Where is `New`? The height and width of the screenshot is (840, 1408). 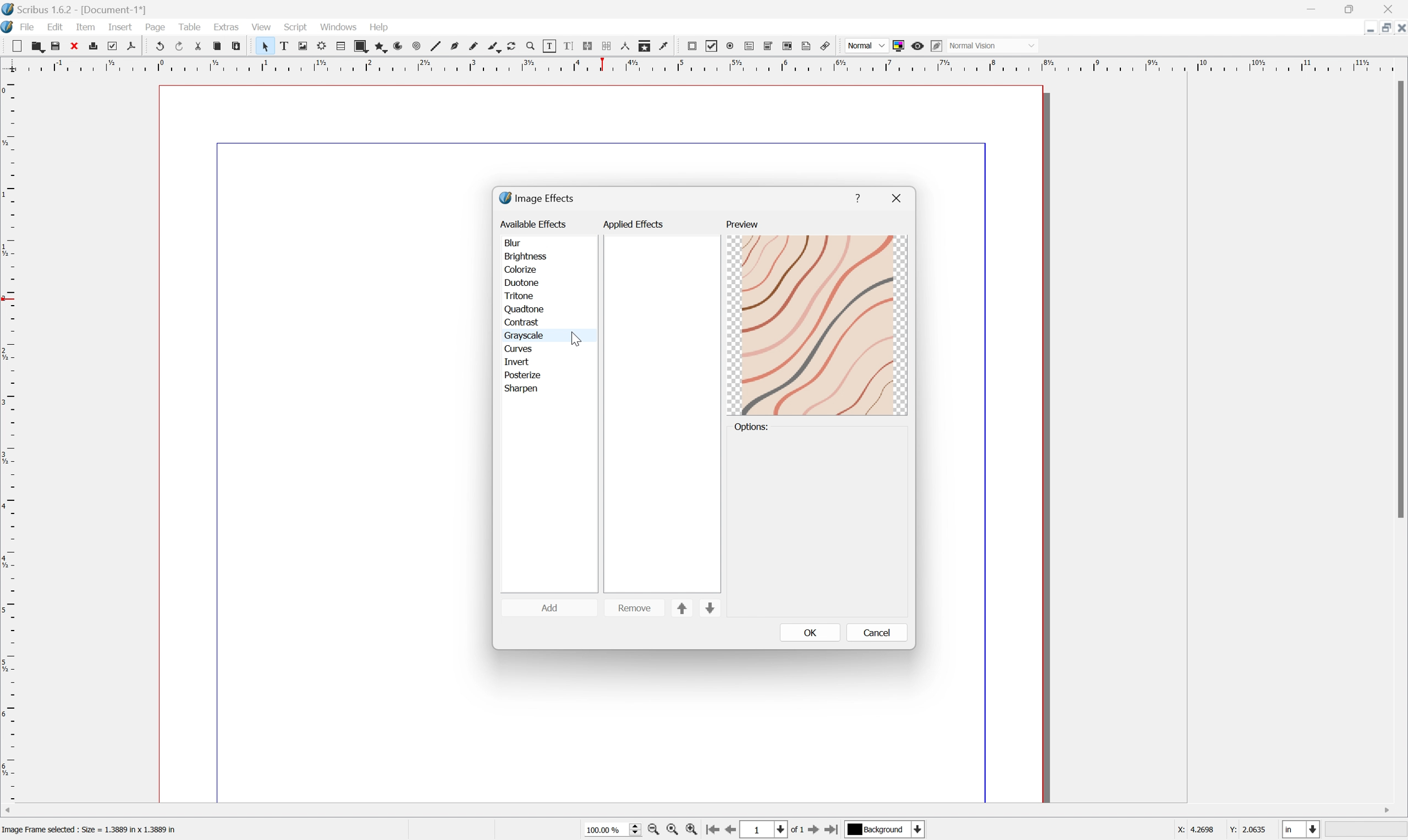 New is located at coordinates (19, 47).